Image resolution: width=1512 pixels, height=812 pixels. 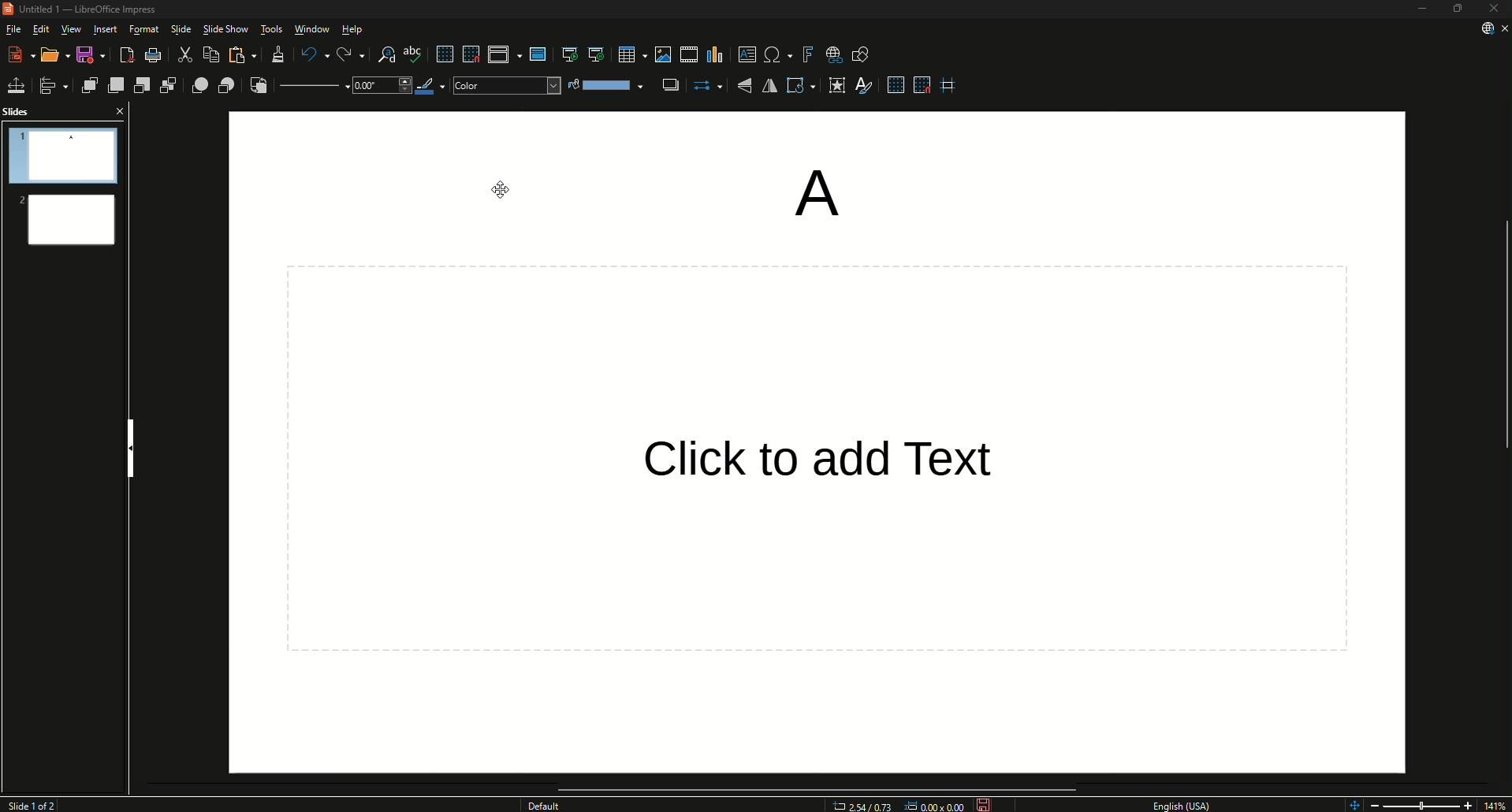 What do you see at coordinates (126, 55) in the screenshot?
I see `Export Directly as PDF` at bounding box center [126, 55].